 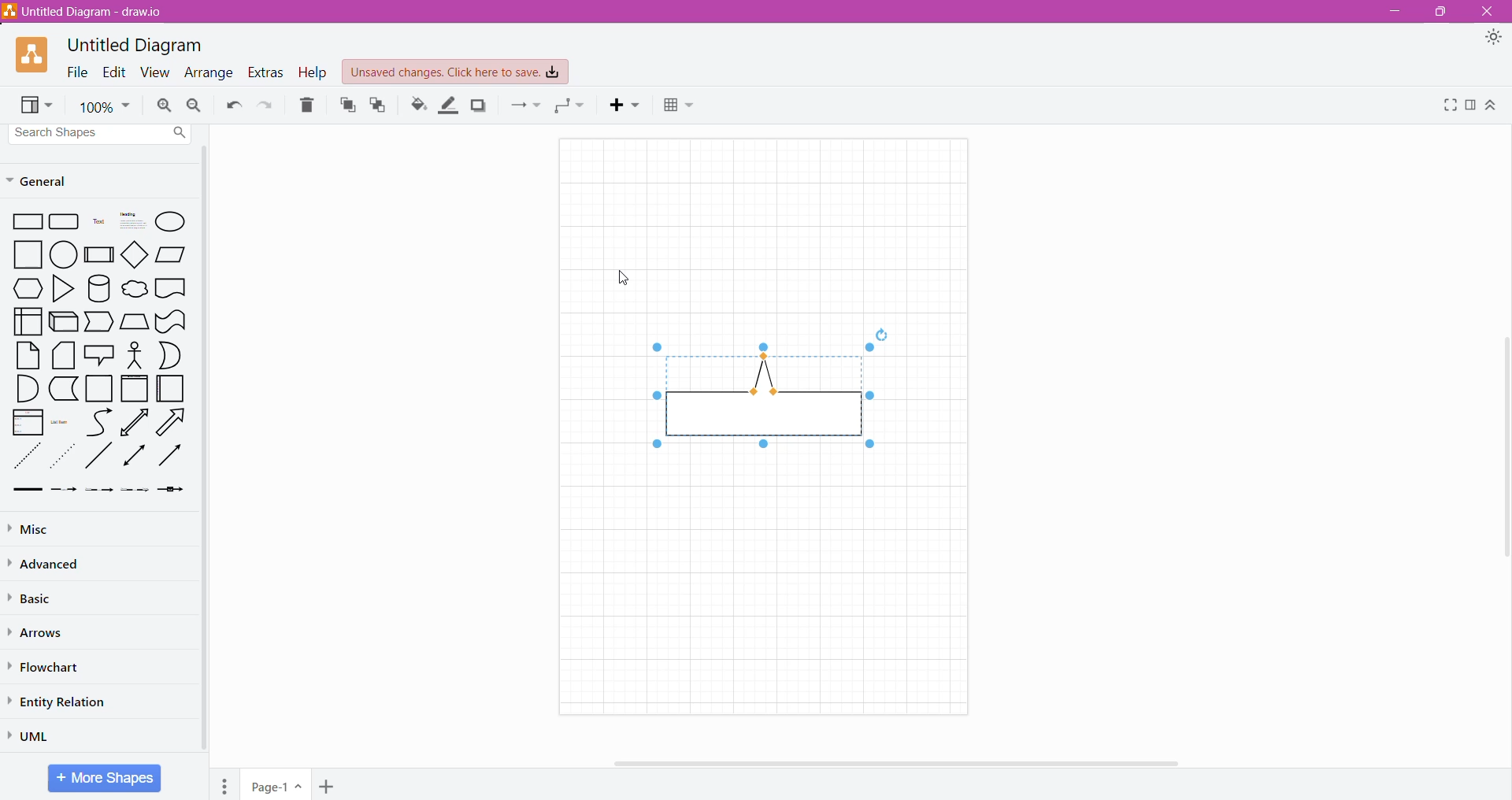 What do you see at coordinates (26, 456) in the screenshot?
I see `Dotted Line ` at bounding box center [26, 456].